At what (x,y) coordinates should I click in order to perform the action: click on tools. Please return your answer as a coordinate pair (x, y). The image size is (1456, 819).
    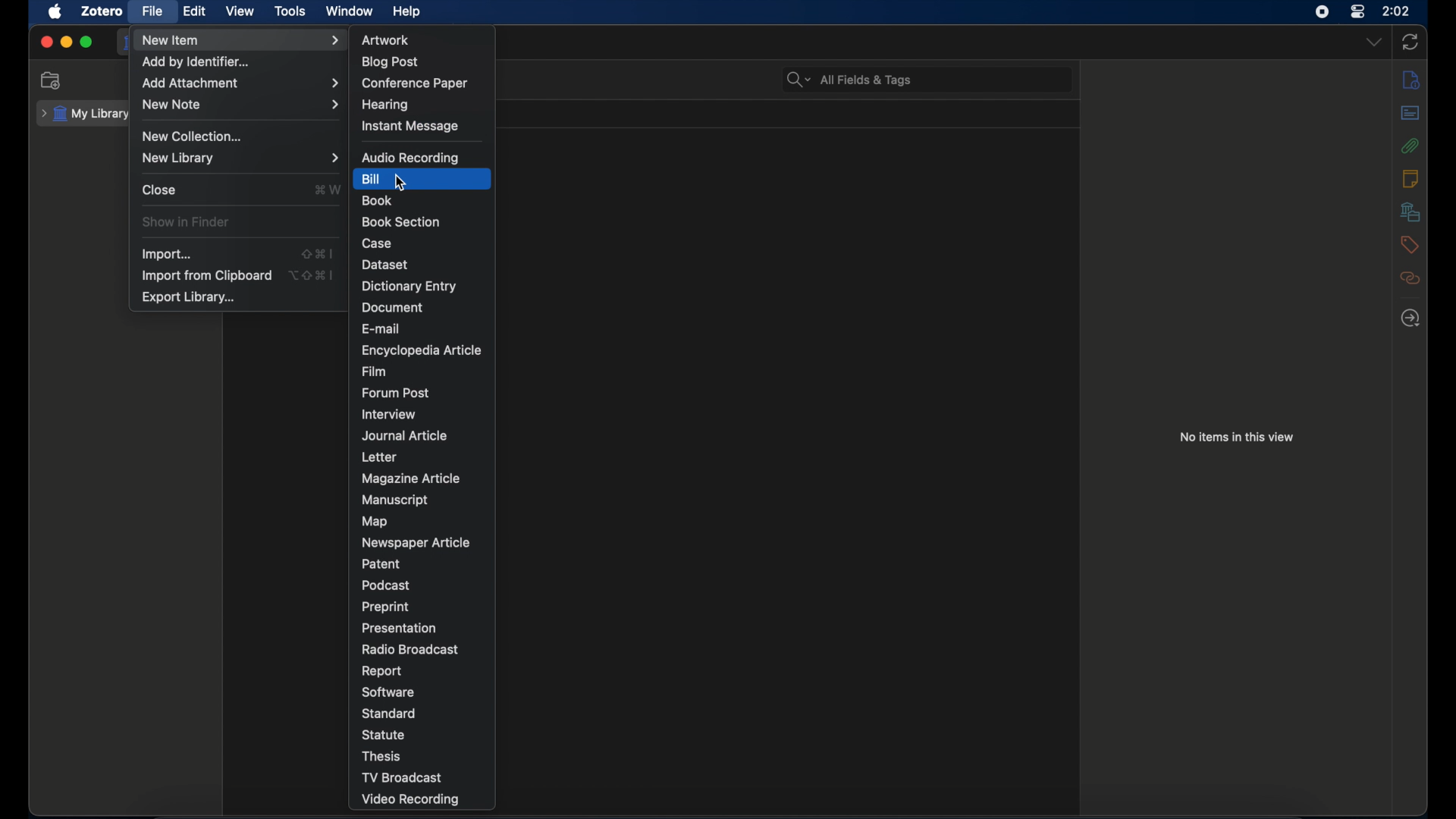
    Looking at the image, I should click on (290, 10).